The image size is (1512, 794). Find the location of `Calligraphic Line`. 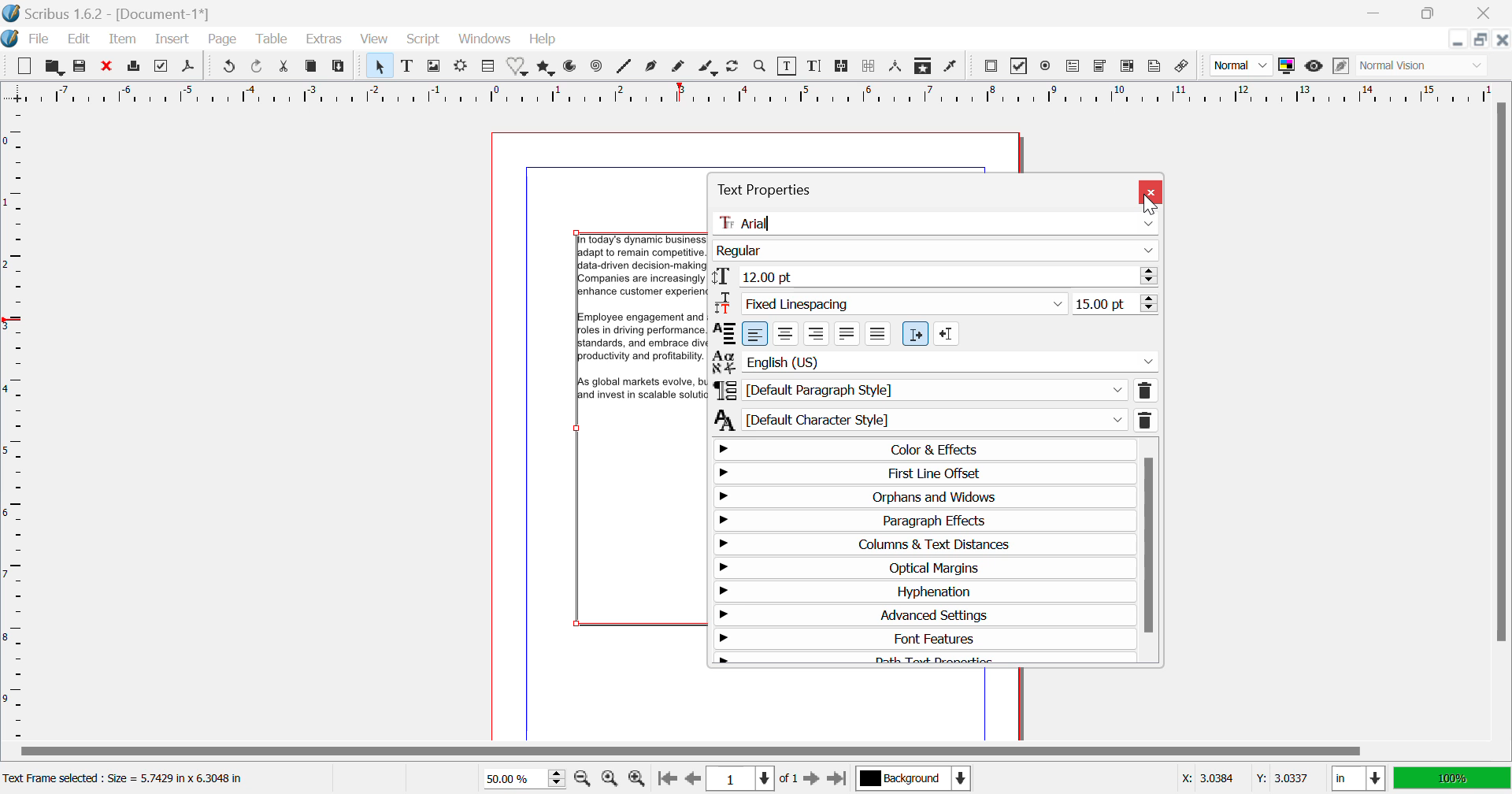

Calligraphic Line is located at coordinates (710, 68).